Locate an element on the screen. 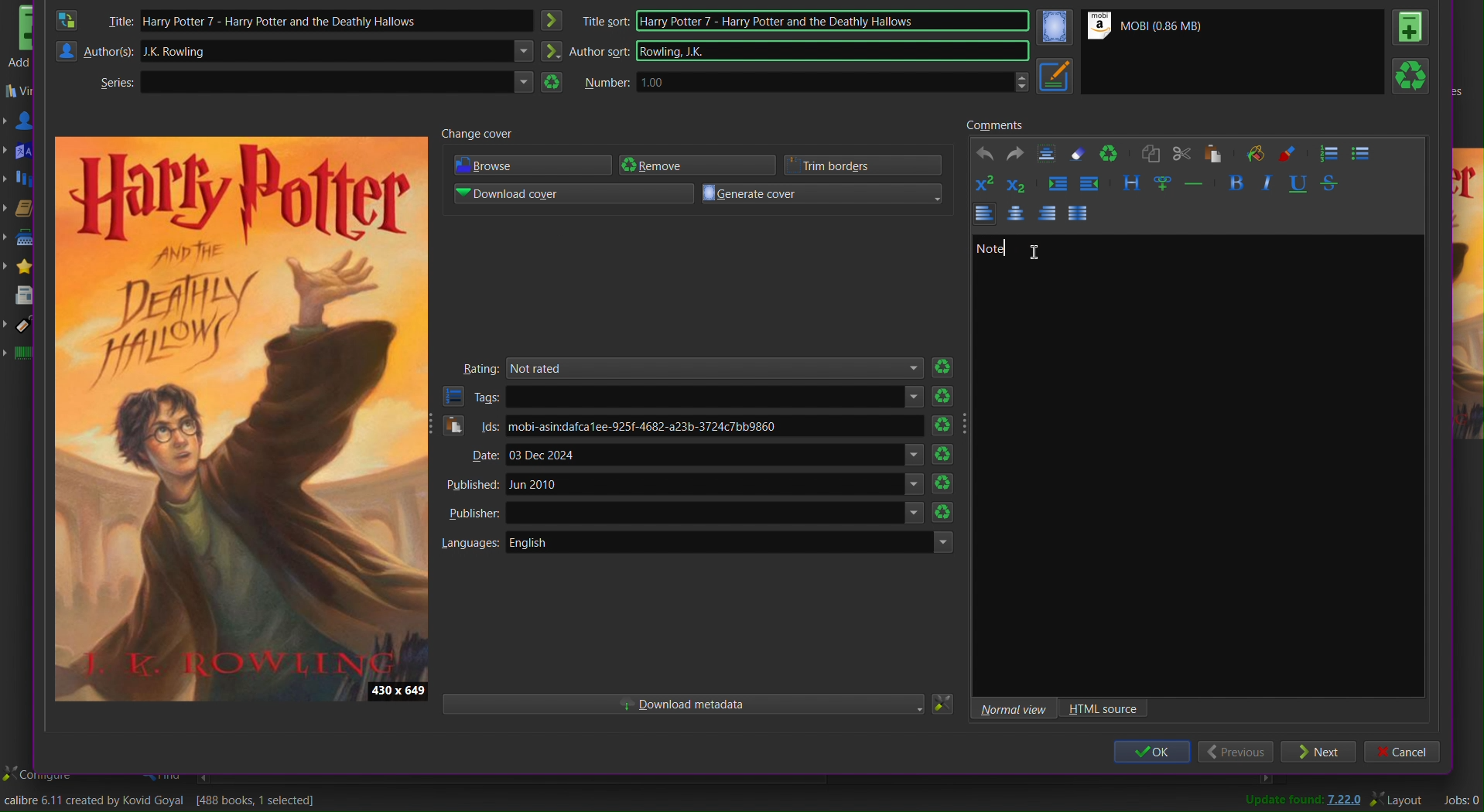 The height and width of the screenshot is (812, 1484). Trim borders is located at coordinates (866, 165).